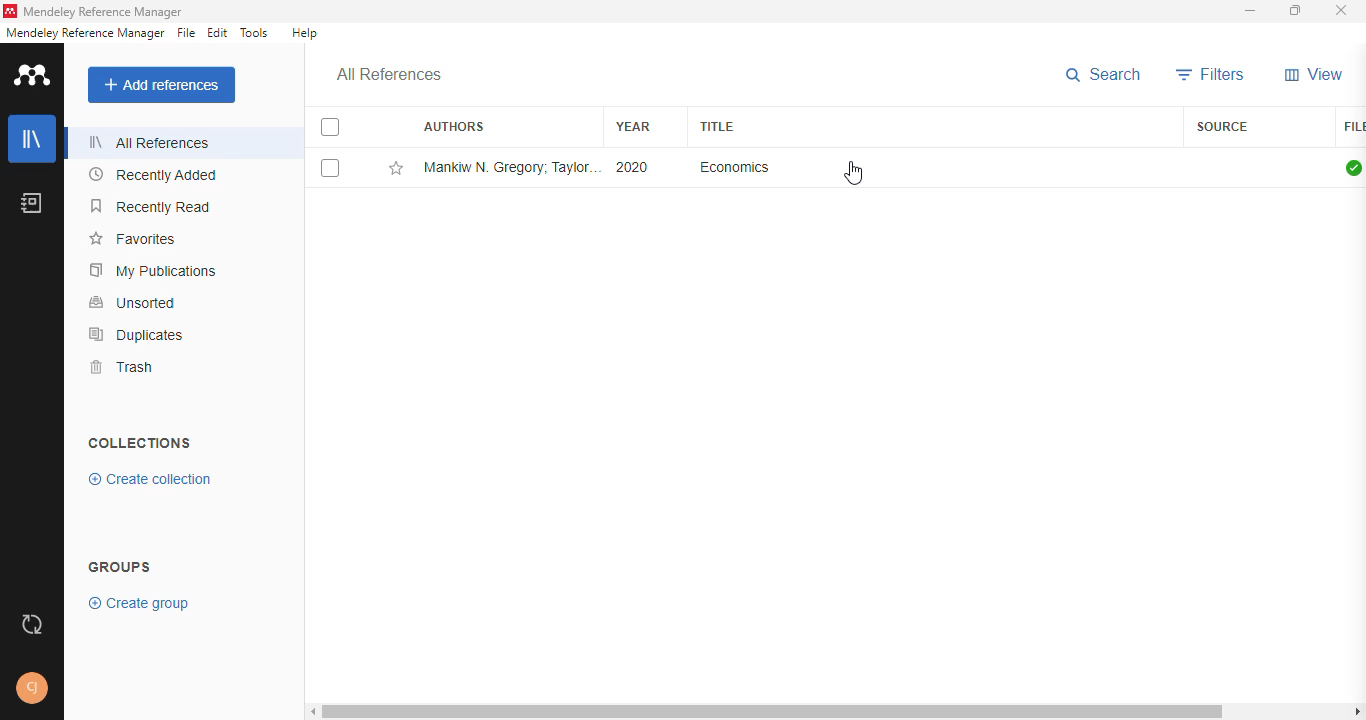  Describe the element at coordinates (140, 442) in the screenshot. I see `collections` at that location.